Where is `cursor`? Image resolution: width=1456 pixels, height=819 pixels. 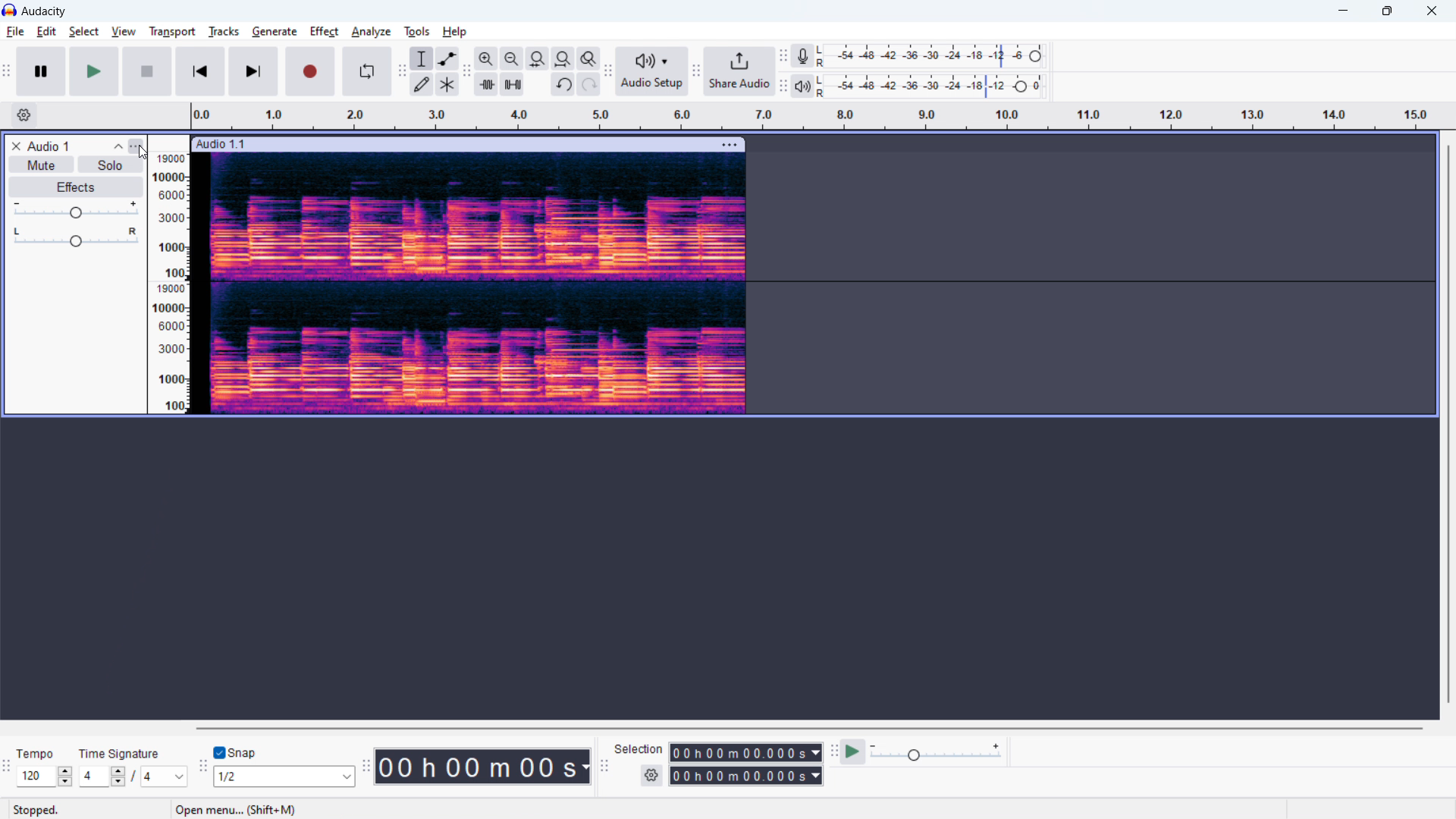
cursor is located at coordinates (146, 156).